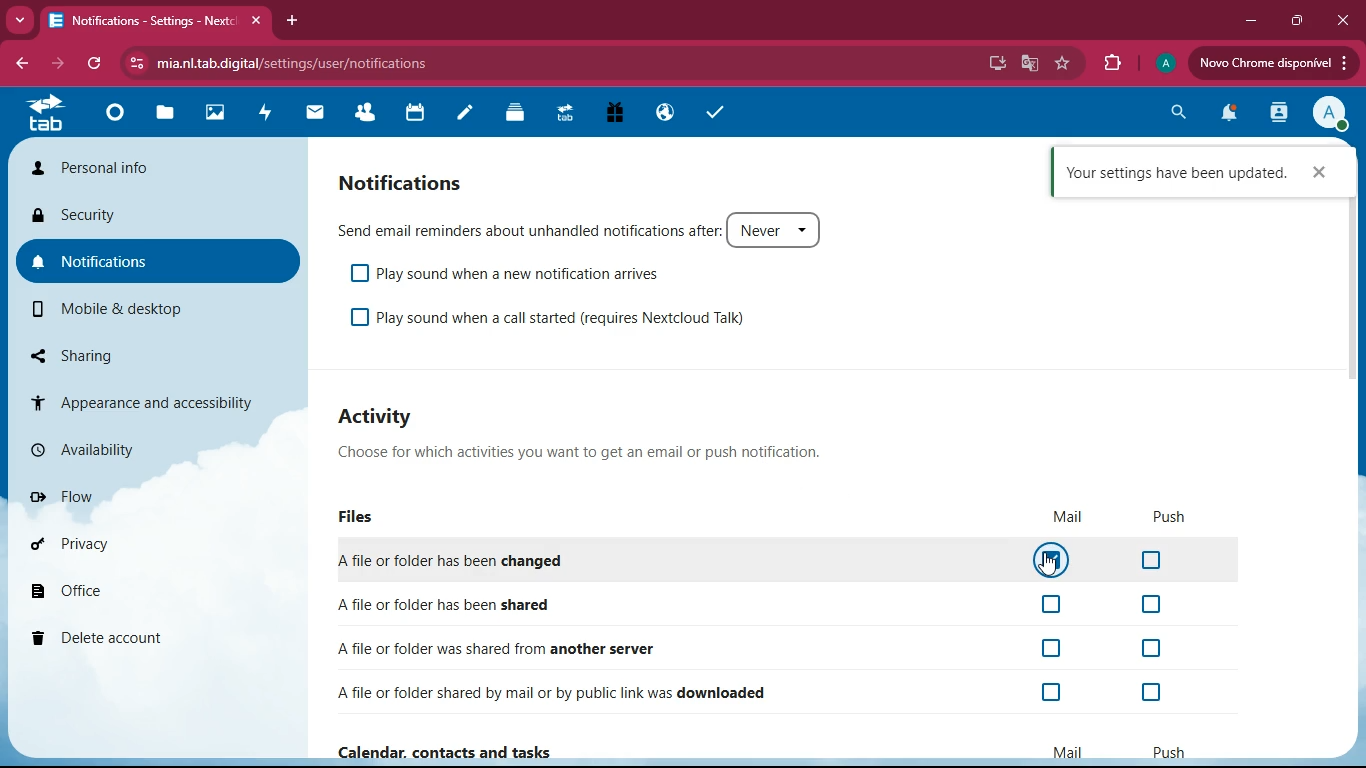 This screenshot has height=768, width=1366. I want to click on push, so click(1169, 753).